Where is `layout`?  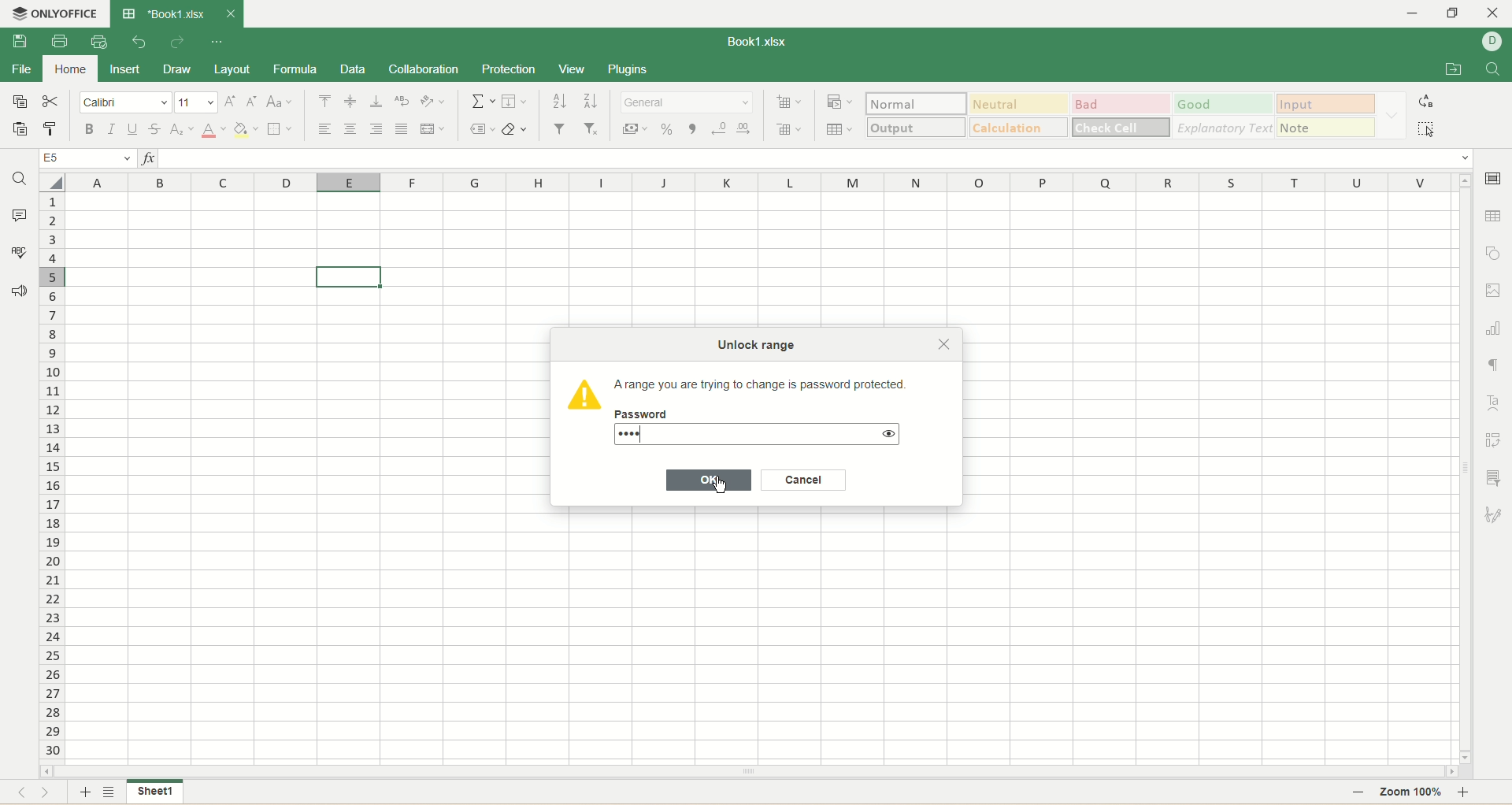
layout is located at coordinates (233, 71).